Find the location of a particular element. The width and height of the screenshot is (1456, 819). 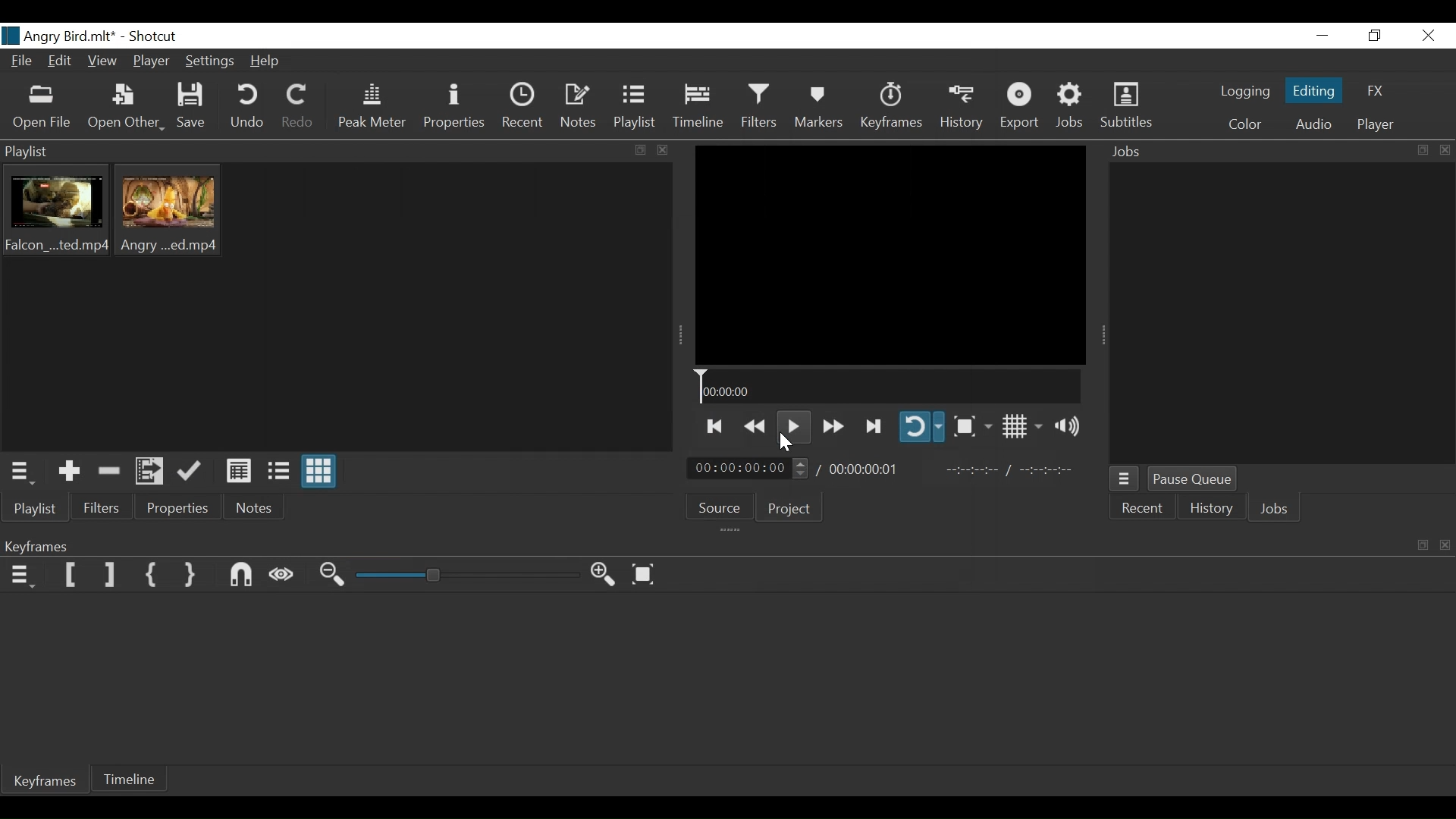

View as Files is located at coordinates (279, 474).